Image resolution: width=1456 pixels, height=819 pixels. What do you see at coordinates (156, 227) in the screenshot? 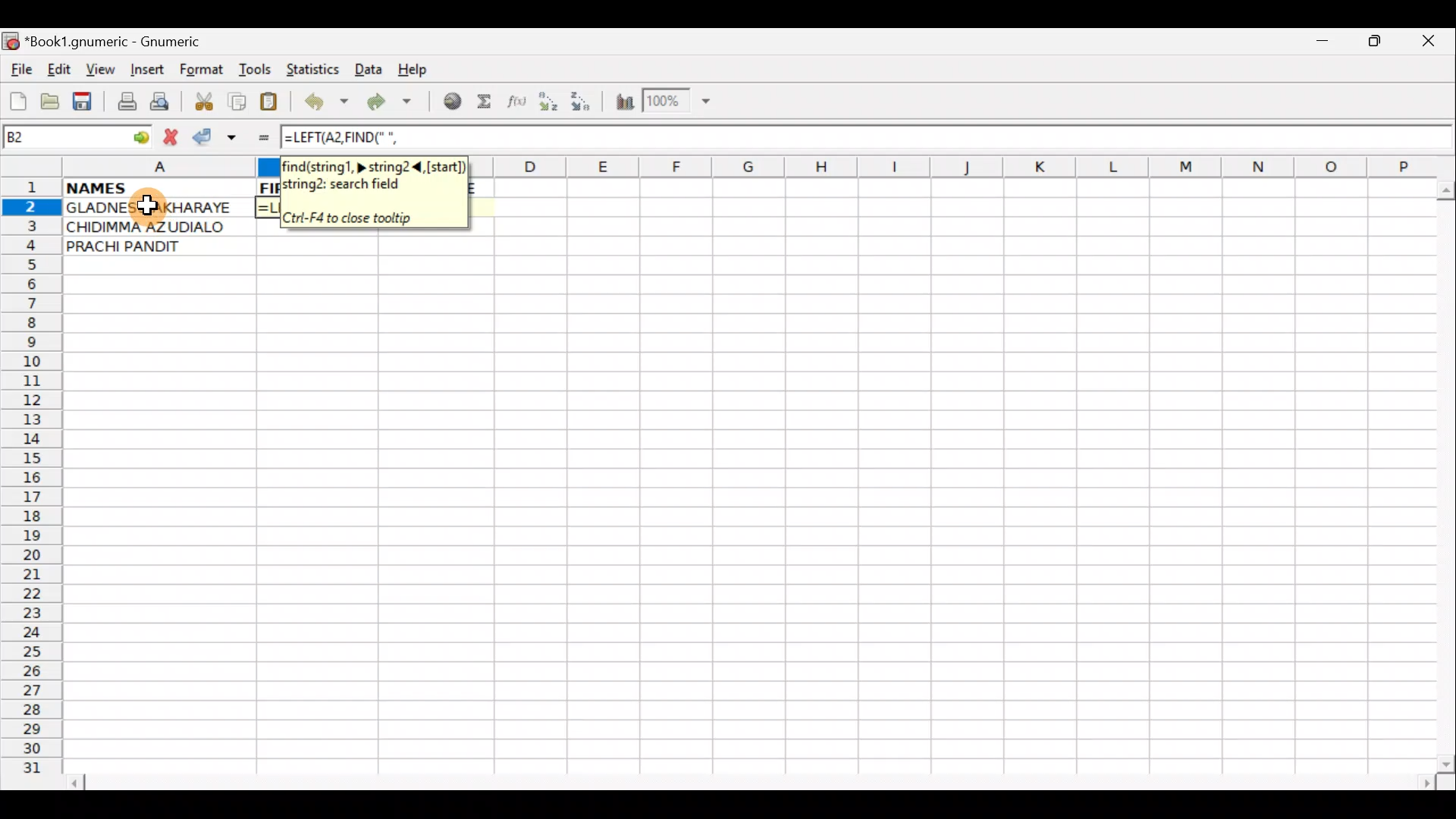
I see `CHIDIMMA AZUDIALO` at bounding box center [156, 227].